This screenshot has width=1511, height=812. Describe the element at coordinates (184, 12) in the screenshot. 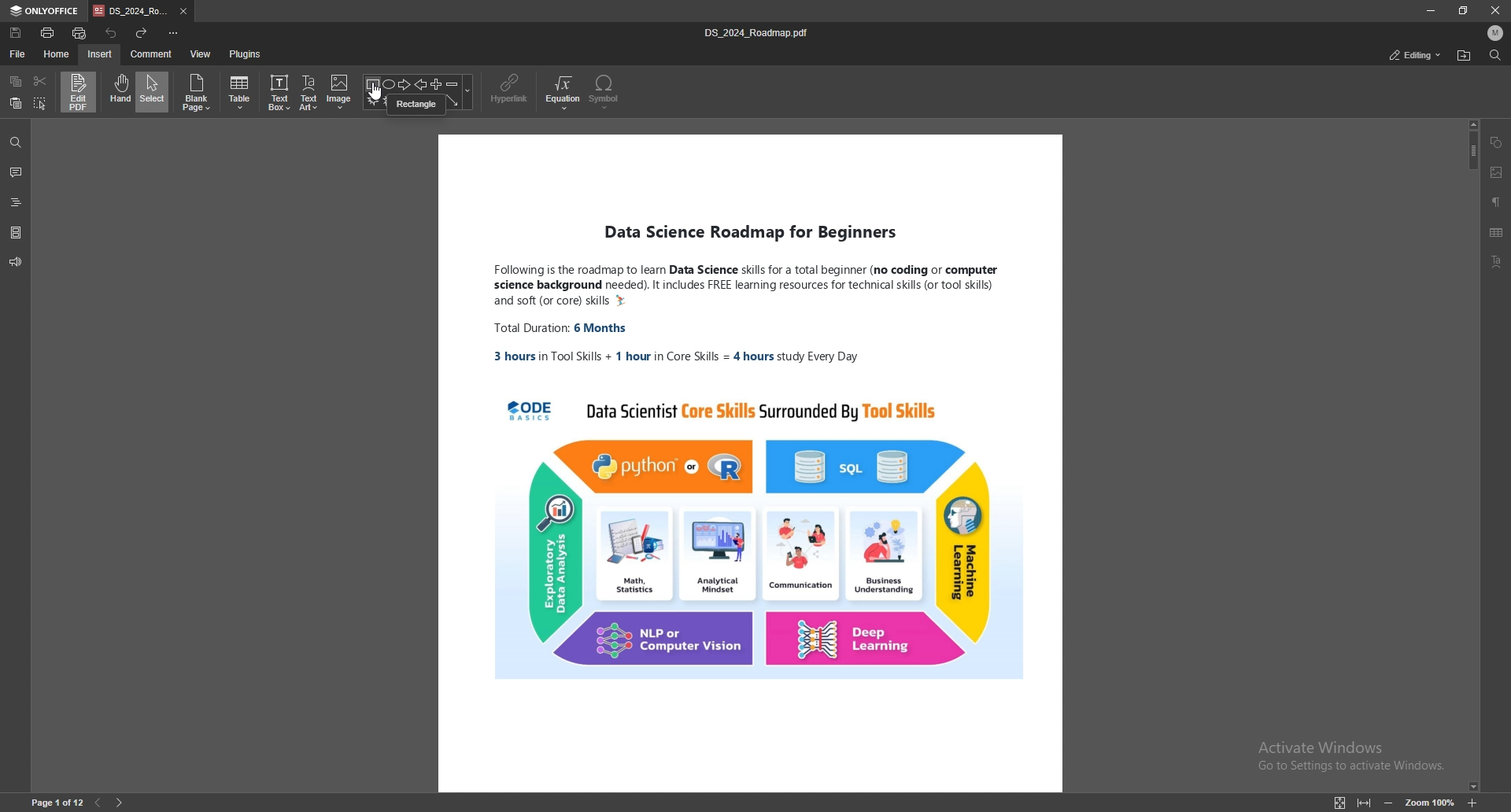

I see `close tab` at that location.